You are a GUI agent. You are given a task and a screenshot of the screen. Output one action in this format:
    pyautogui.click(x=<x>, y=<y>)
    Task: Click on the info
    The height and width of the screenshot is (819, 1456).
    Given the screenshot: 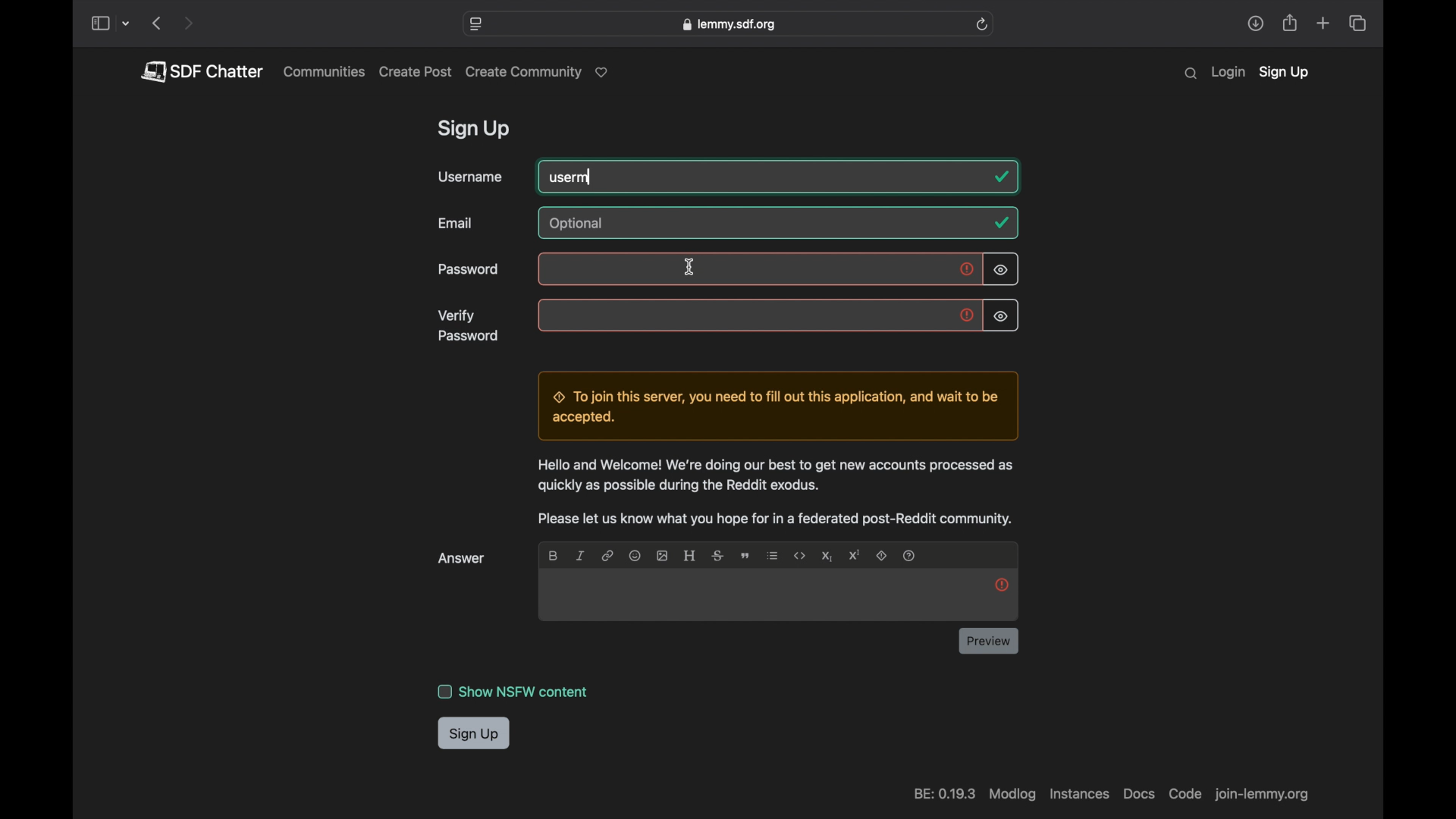 What is the action you would take?
    pyautogui.click(x=777, y=492)
    